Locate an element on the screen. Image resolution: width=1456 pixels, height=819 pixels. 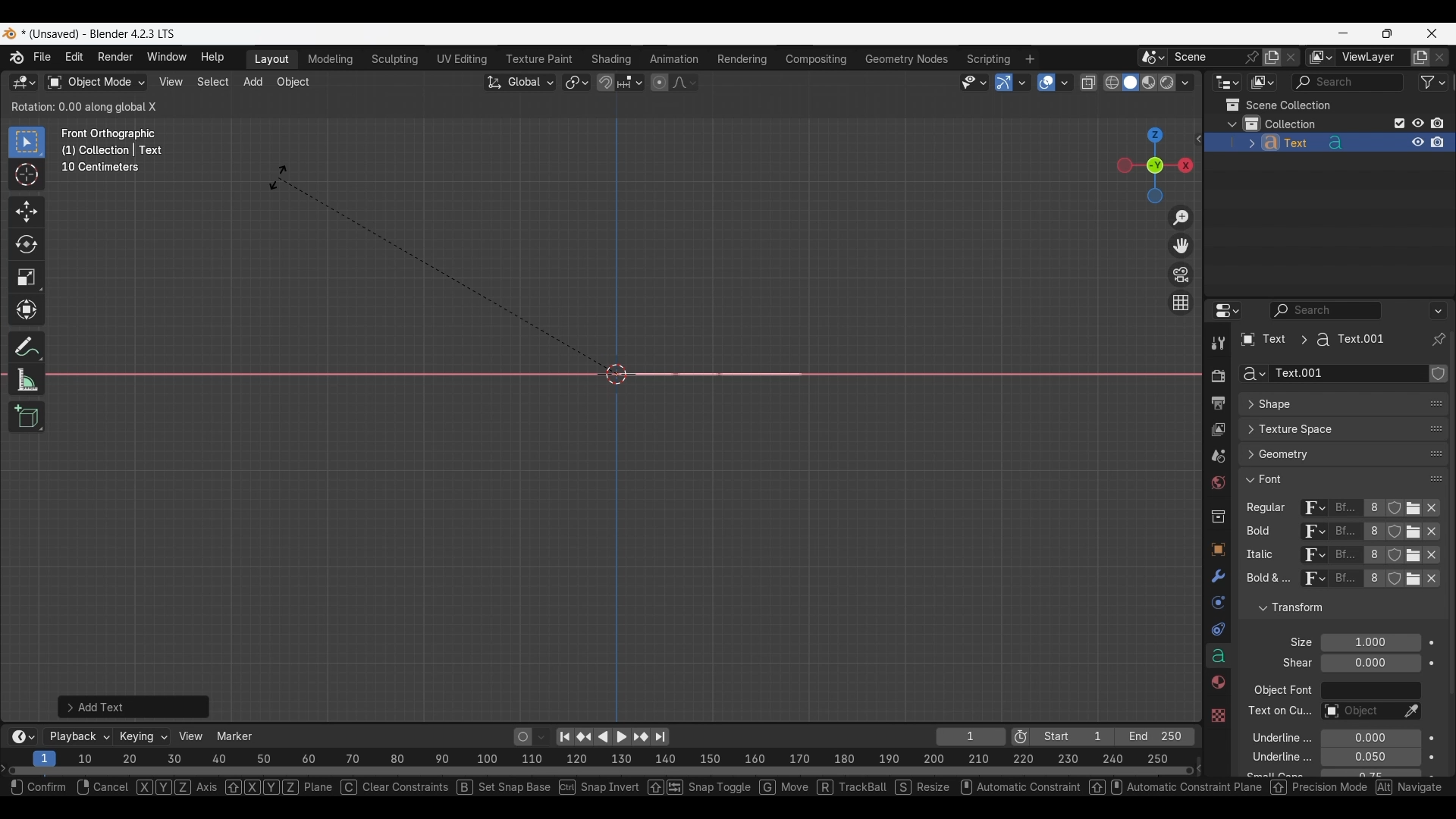
Data, current selection is located at coordinates (1218, 656).